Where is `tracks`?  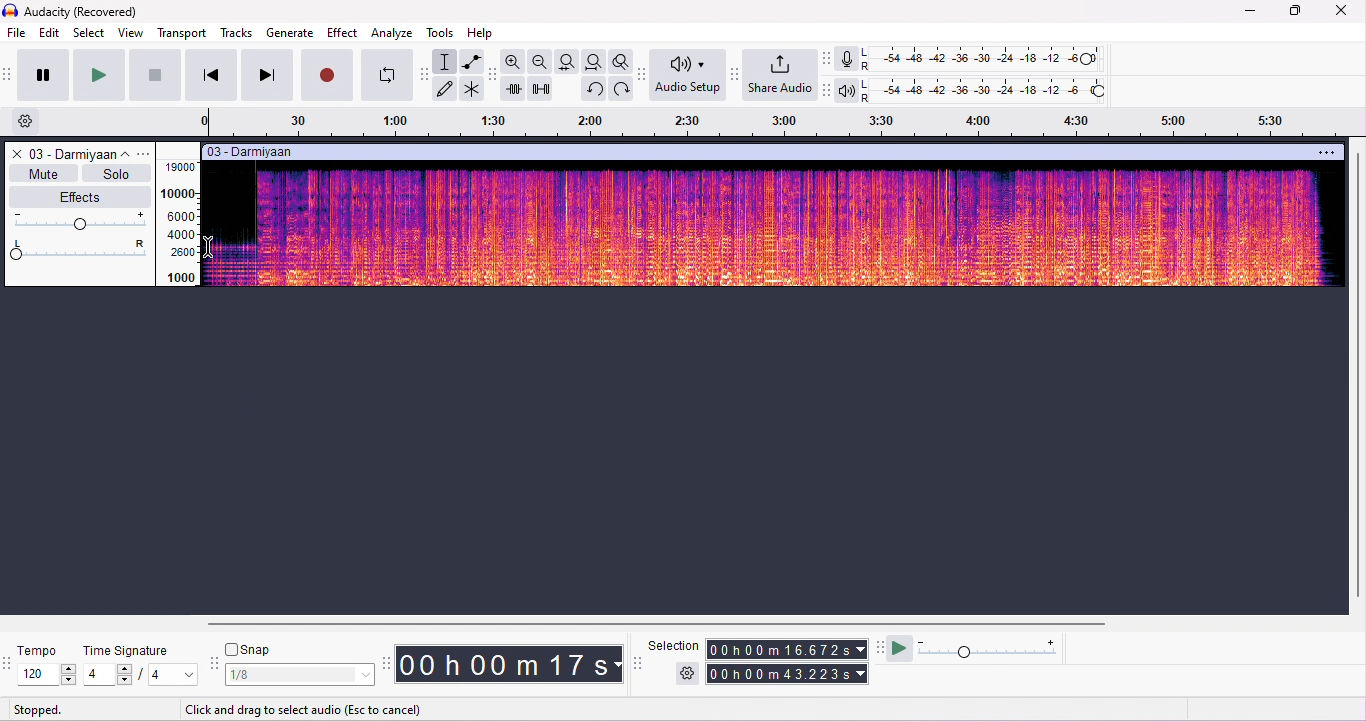 tracks is located at coordinates (237, 34).